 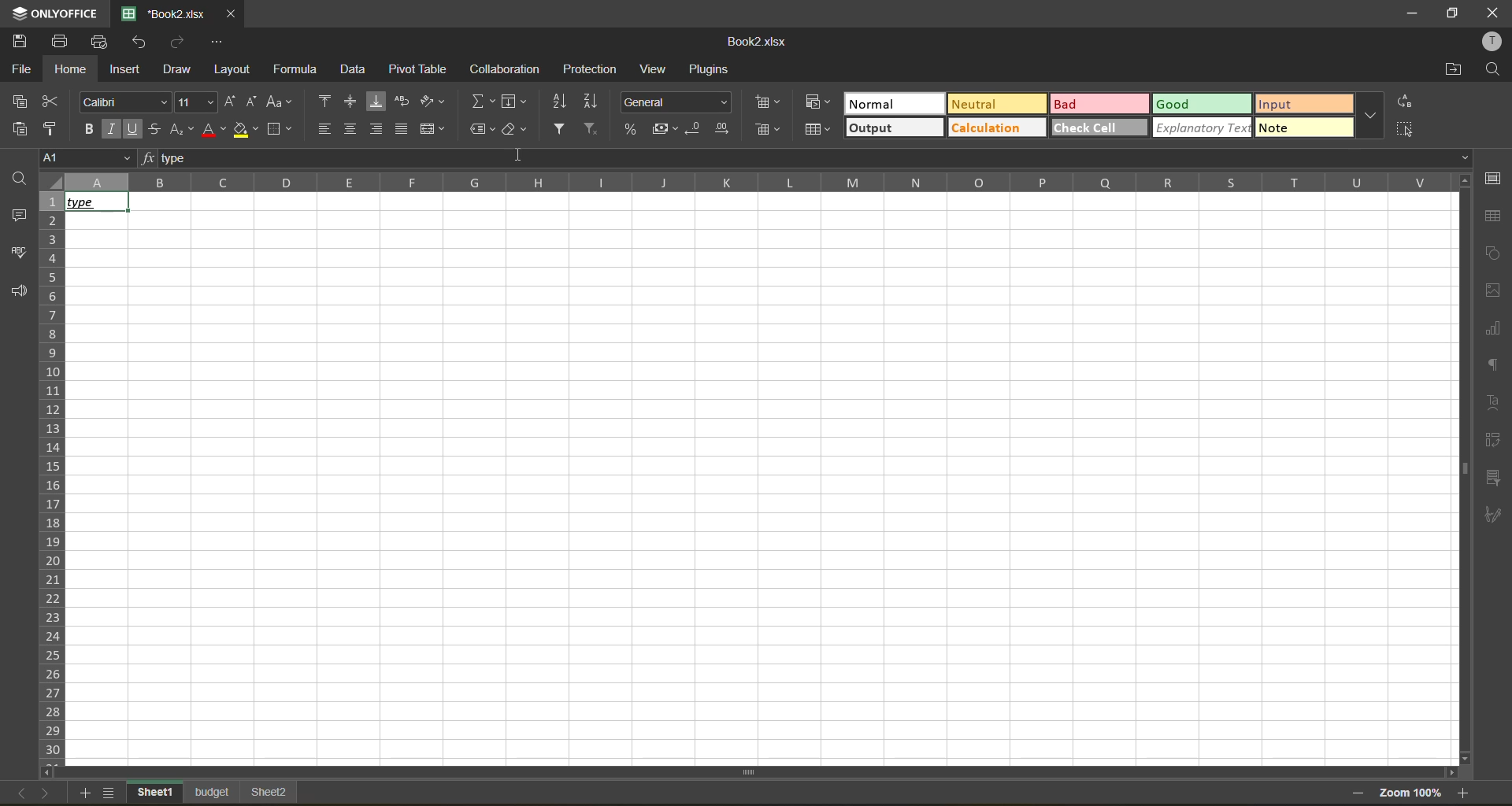 What do you see at coordinates (433, 101) in the screenshot?
I see `orientation` at bounding box center [433, 101].